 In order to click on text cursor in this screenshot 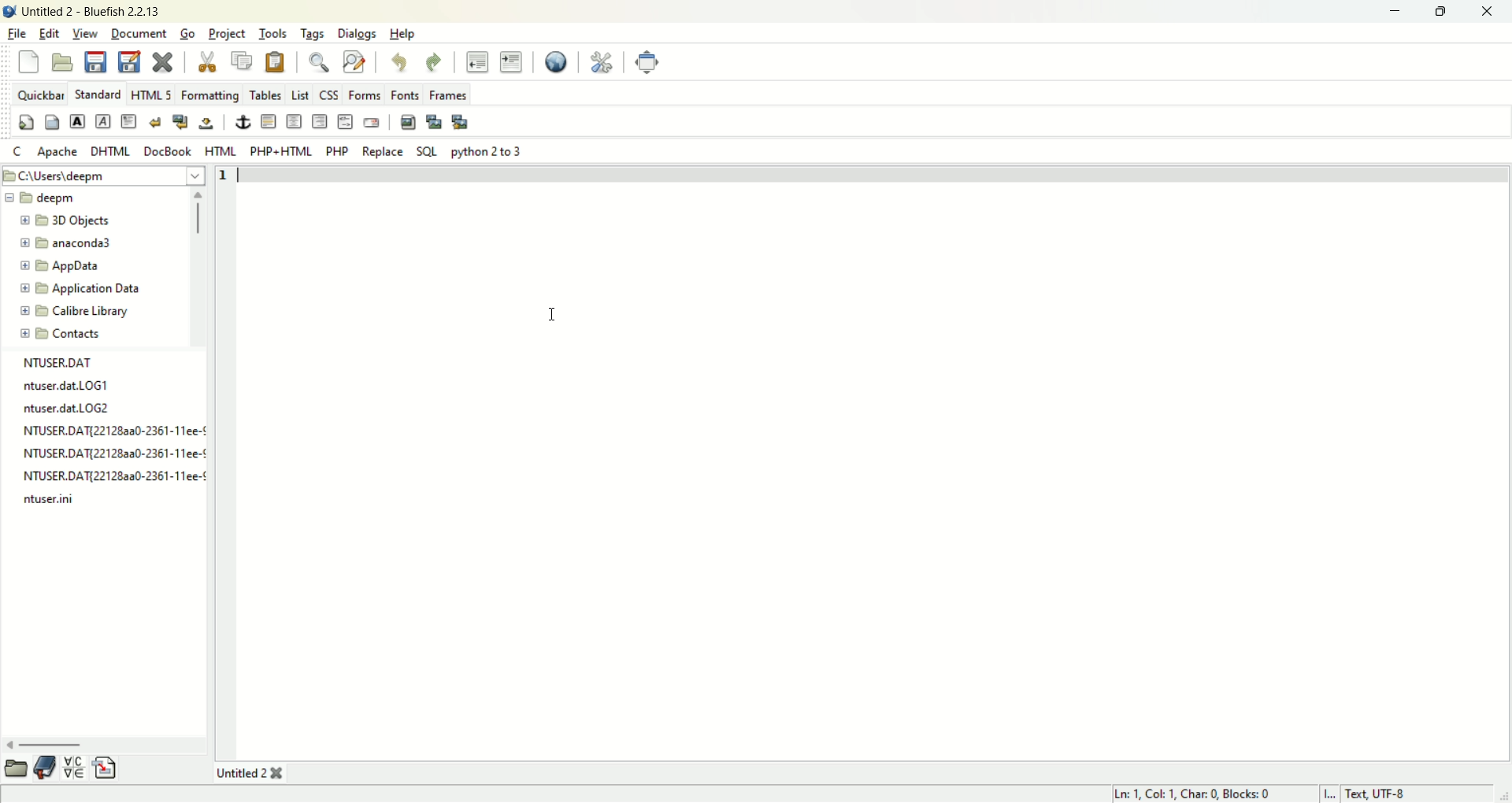, I will do `click(553, 314)`.